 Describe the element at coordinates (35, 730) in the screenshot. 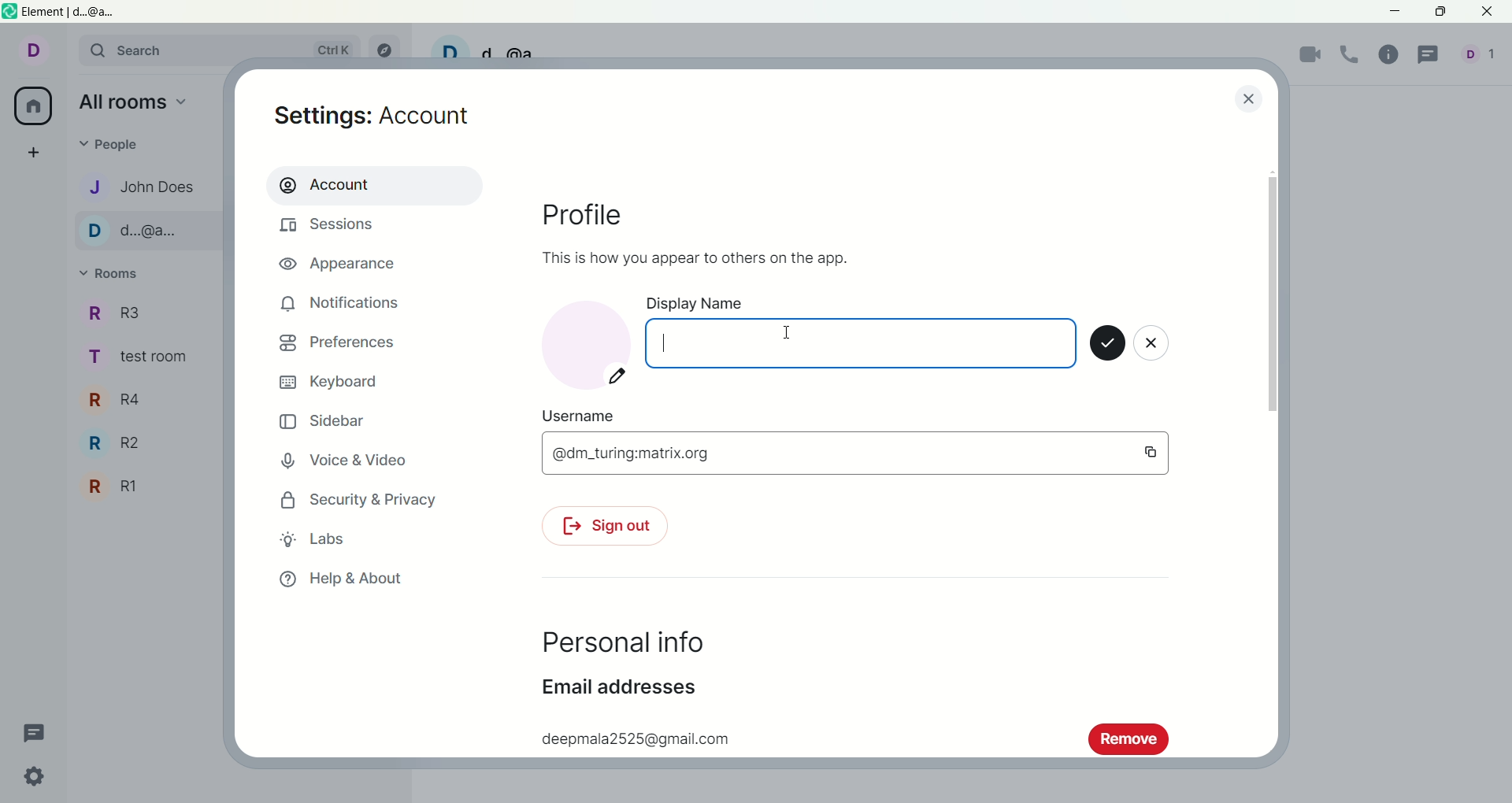

I see `threads` at that location.